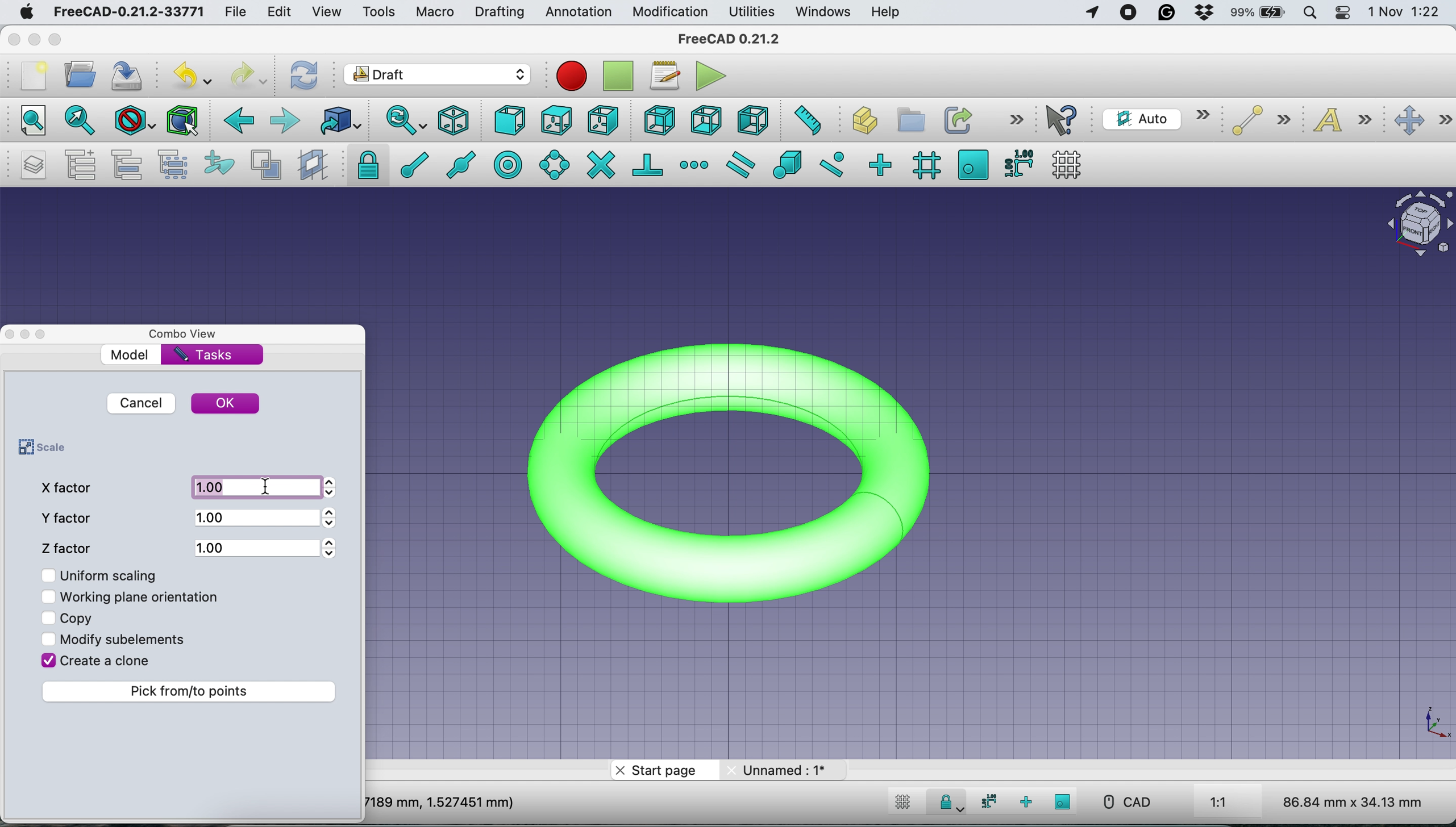 The image size is (1456, 827). Describe the element at coordinates (339, 120) in the screenshot. I see `go to linked object` at that location.